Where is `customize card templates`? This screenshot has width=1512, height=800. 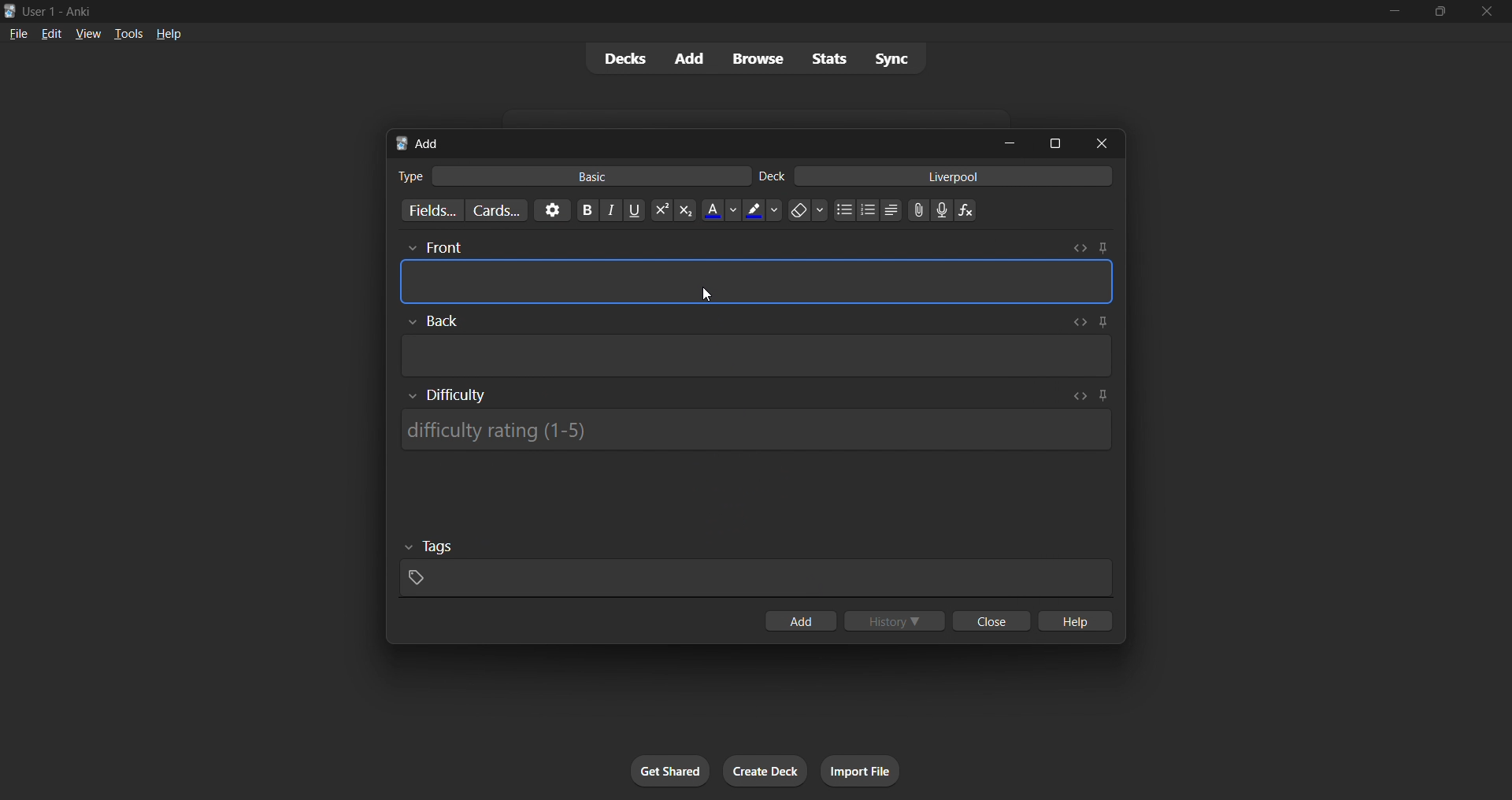
customize card templates is located at coordinates (496, 211).